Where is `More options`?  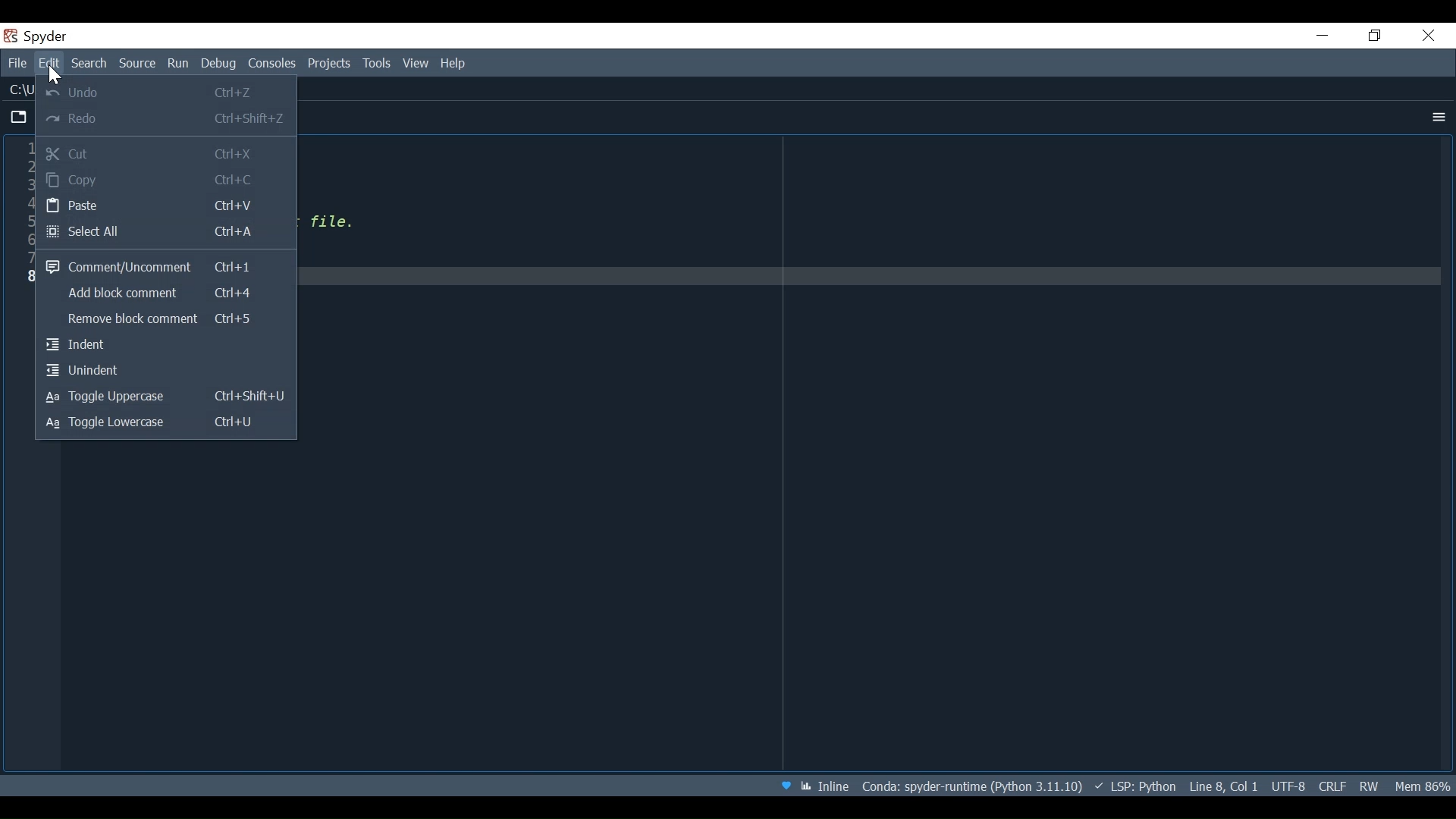 More options is located at coordinates (1437, 118).